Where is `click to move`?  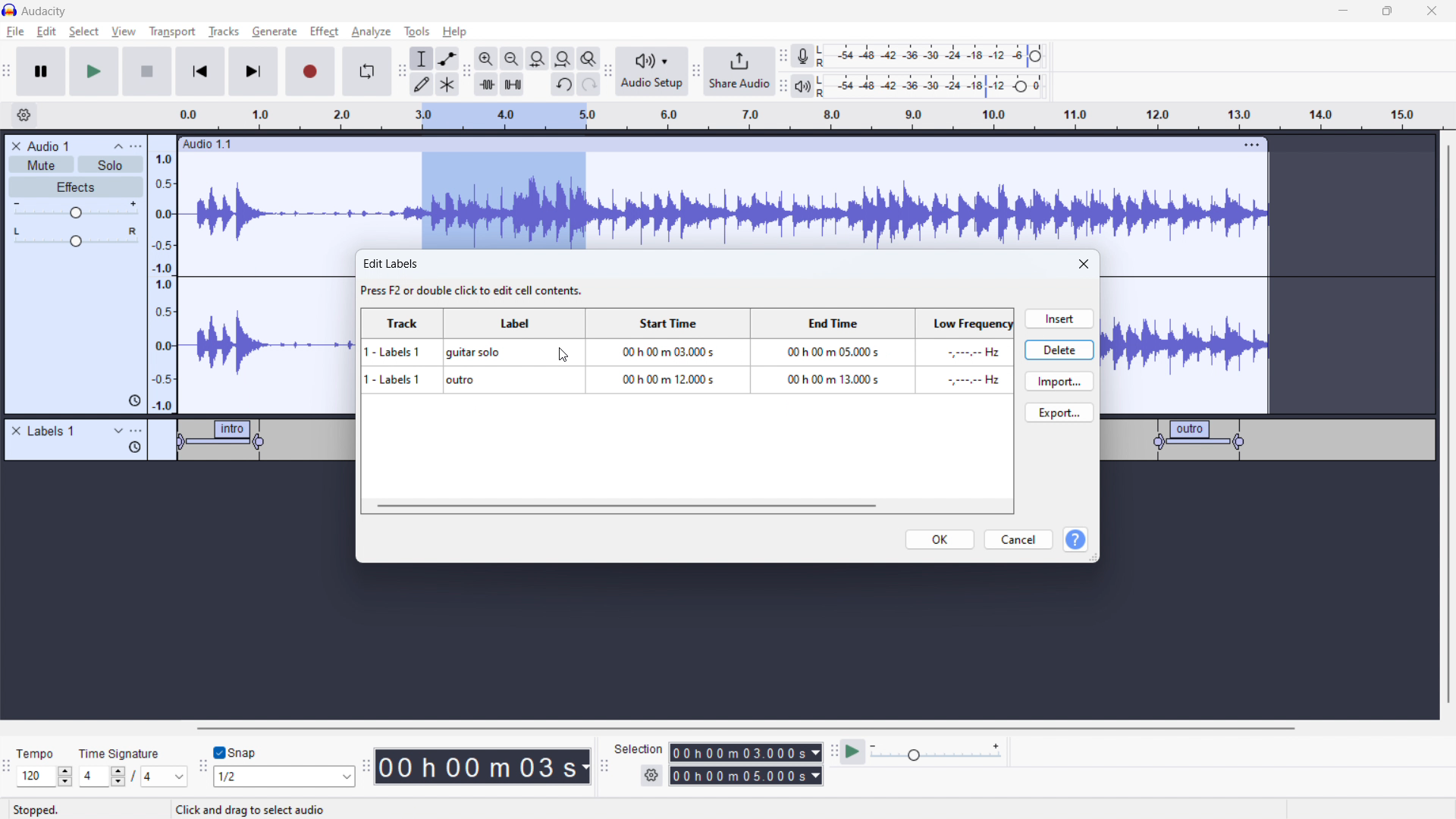 click to move is located at coordinates (708, 145).